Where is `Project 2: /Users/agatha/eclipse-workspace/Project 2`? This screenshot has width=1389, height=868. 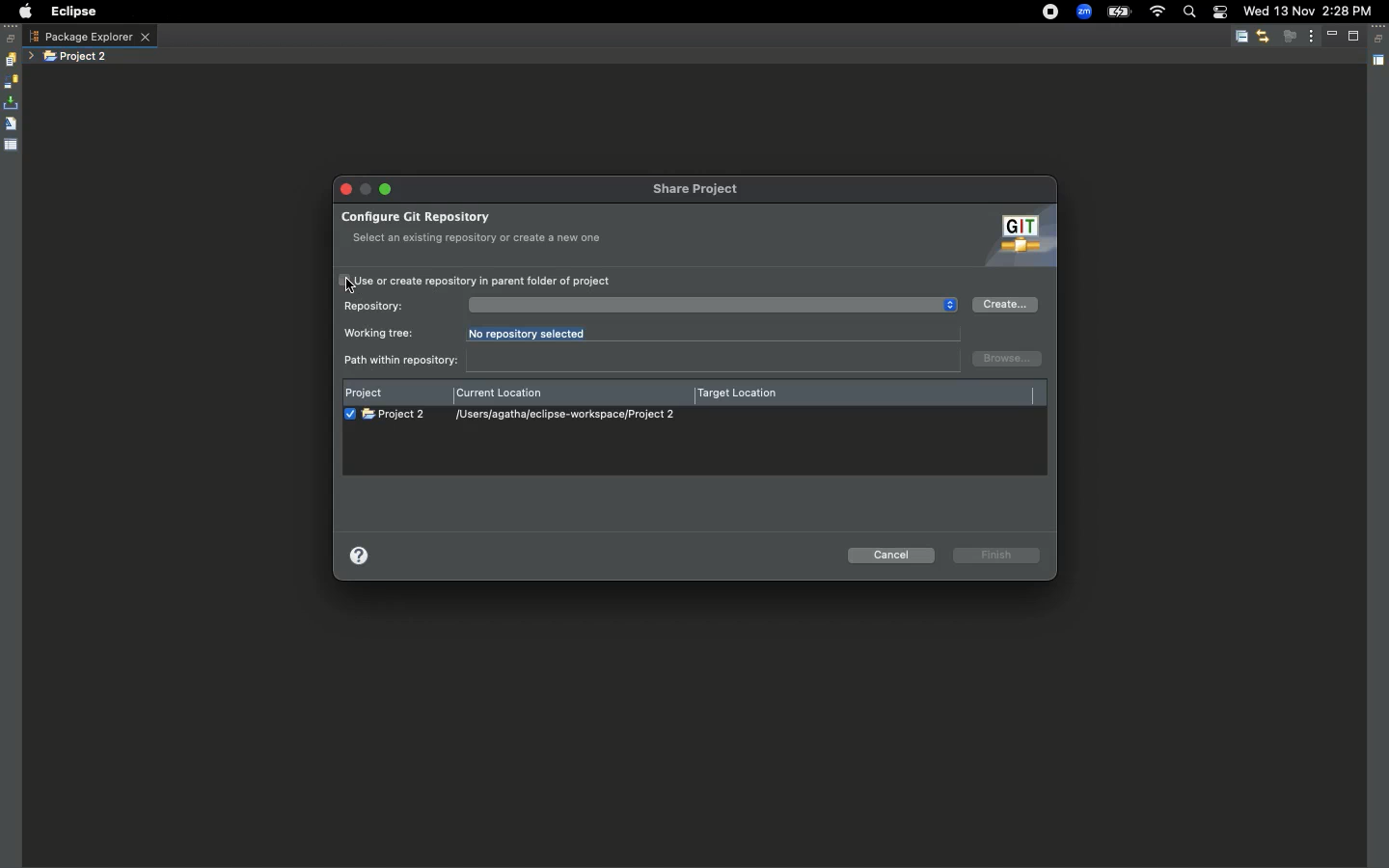
Project 2: /Users/agatha/eclipse-workspace/Project 2 is located at coordinates (525, 415).